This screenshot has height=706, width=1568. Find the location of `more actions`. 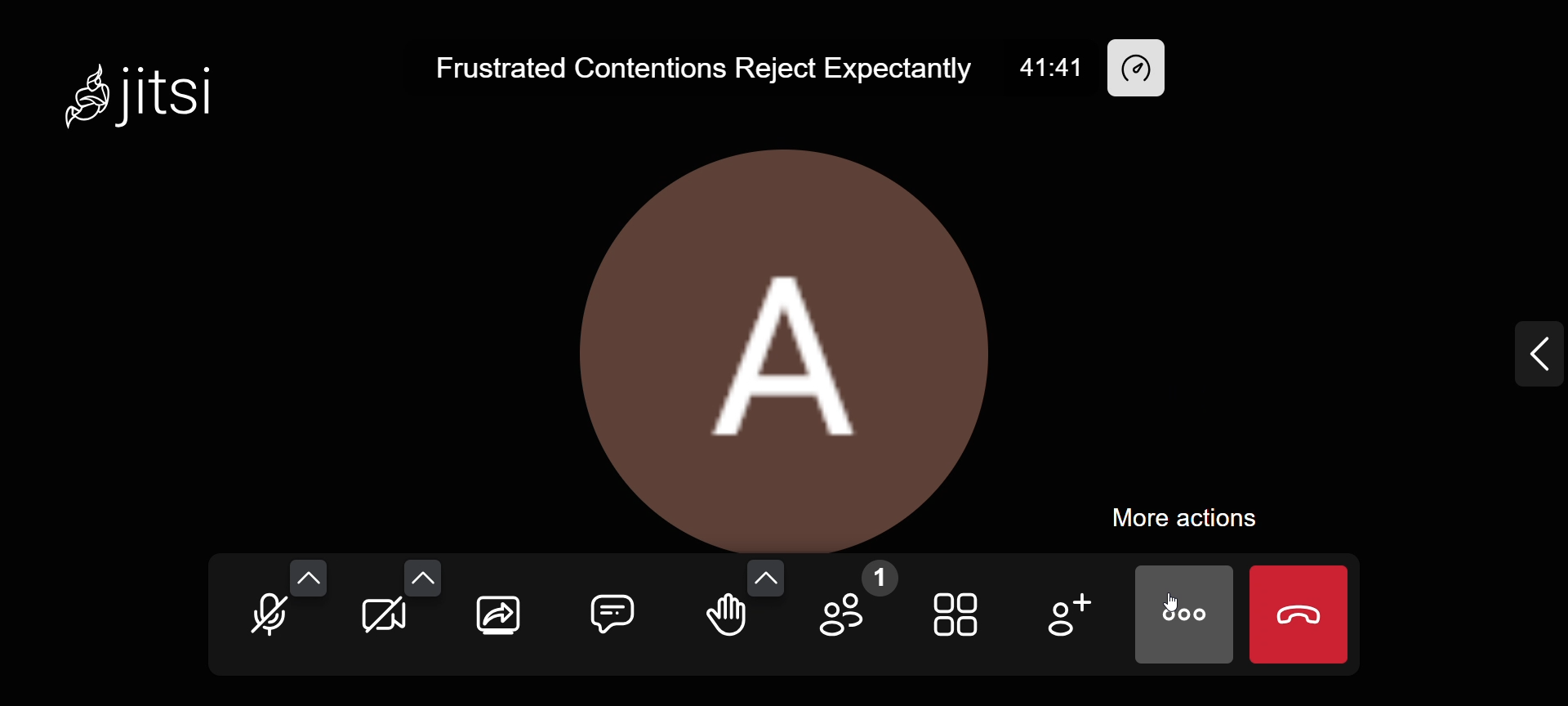

more actions is located at coordinates (1182, 610).